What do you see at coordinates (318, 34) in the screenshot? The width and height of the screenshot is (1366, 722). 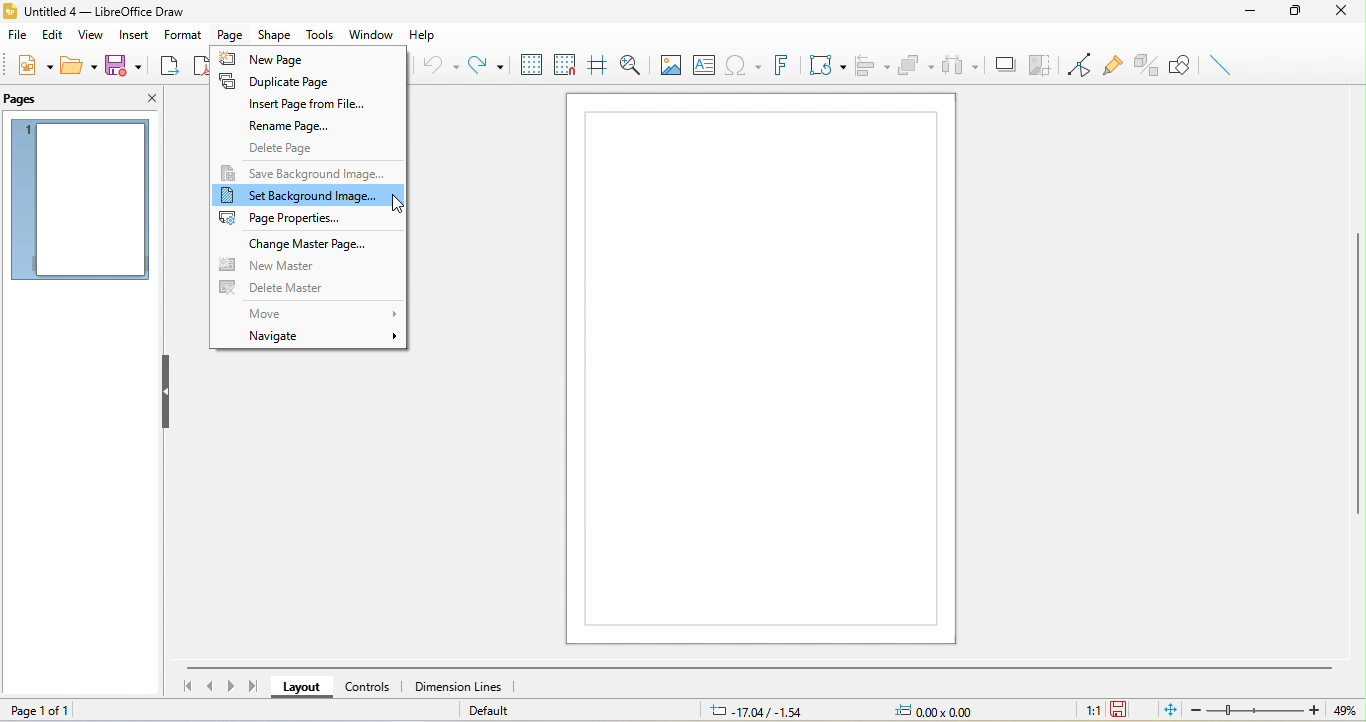 I see `tools` at bounding box center [318, 34].